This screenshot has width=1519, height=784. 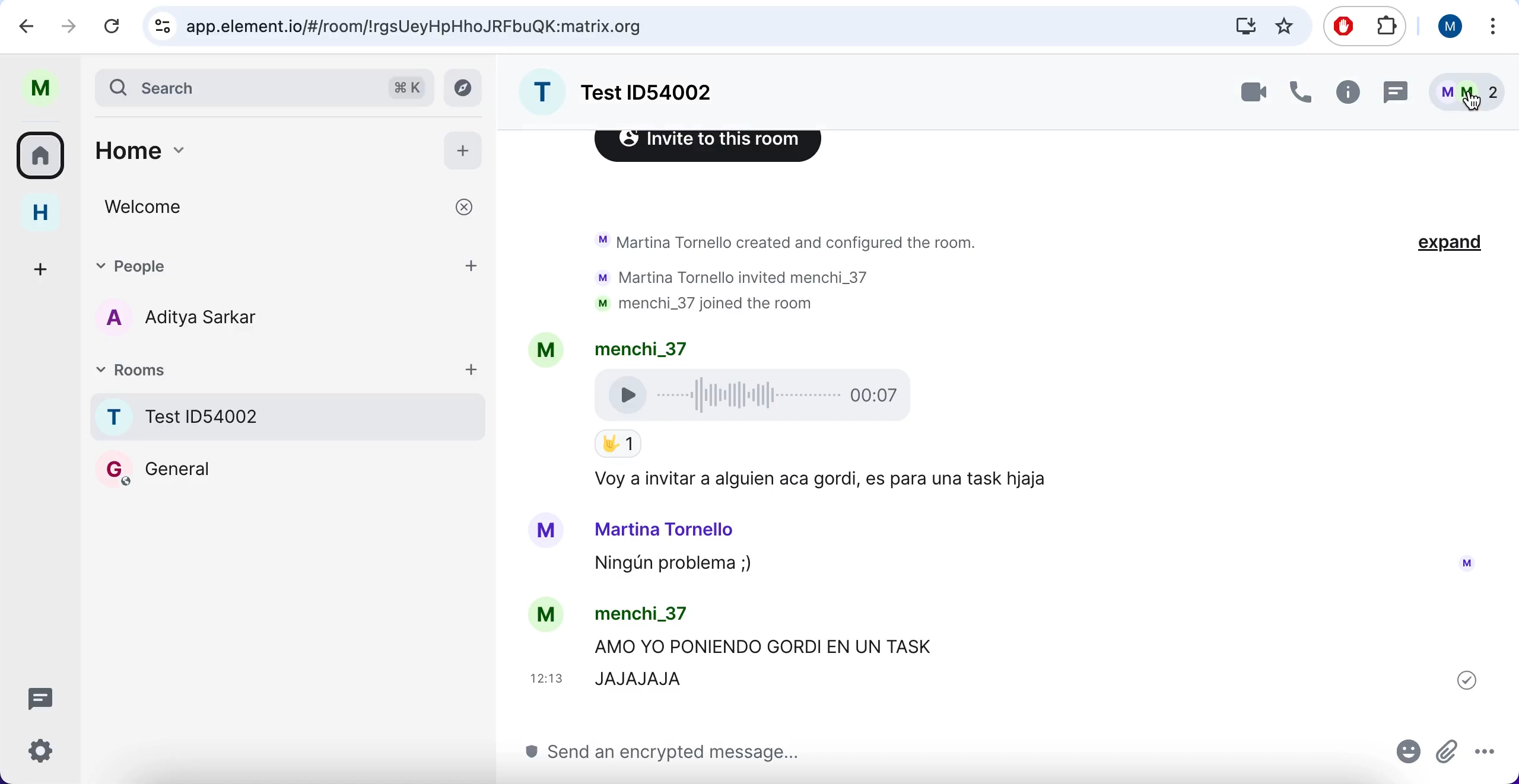 What do you see at coordinates (755, 396) in the screenshot?
I see `Voice Recording` at bounding box center [755, 396].